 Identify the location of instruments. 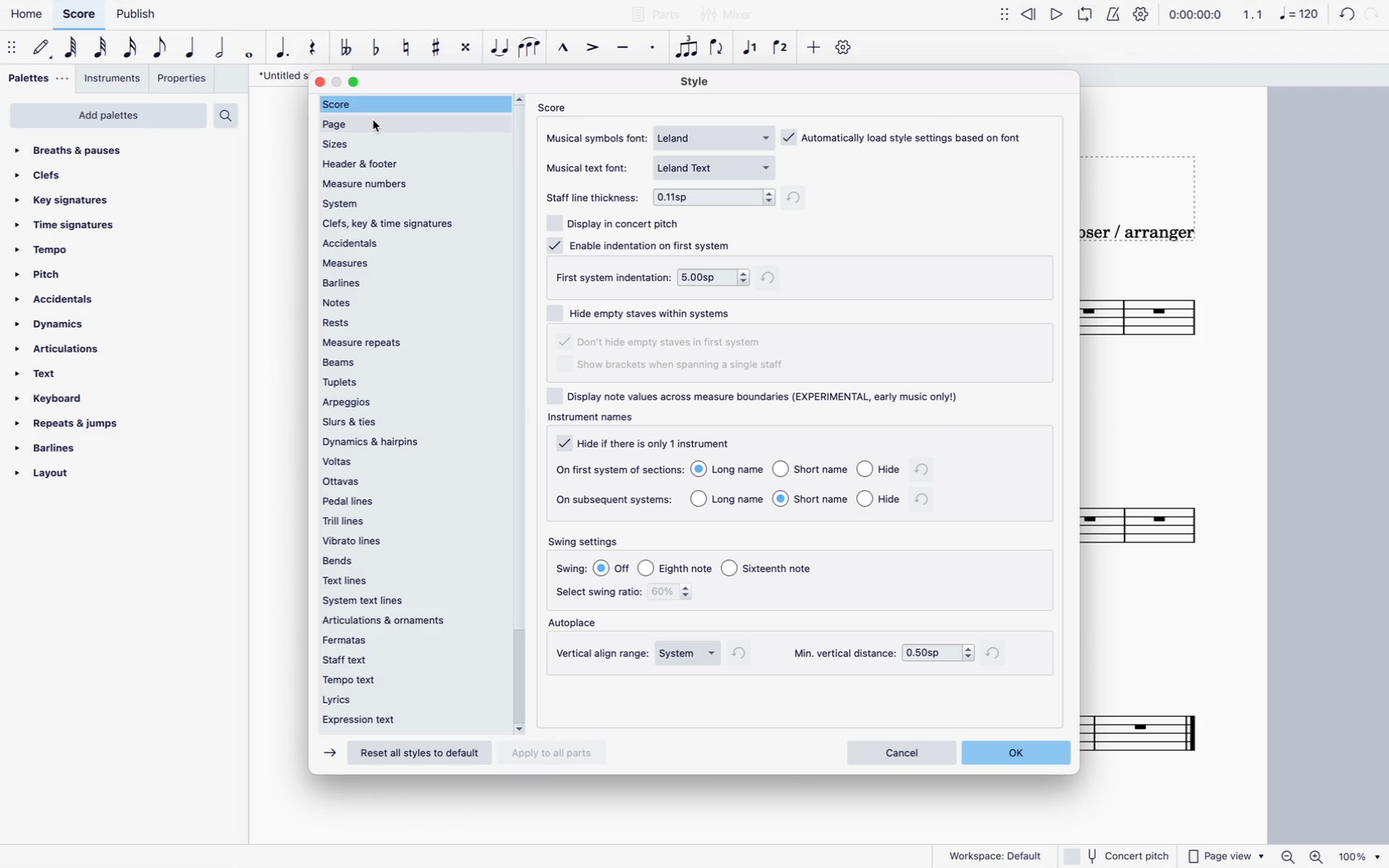
(114, 79).